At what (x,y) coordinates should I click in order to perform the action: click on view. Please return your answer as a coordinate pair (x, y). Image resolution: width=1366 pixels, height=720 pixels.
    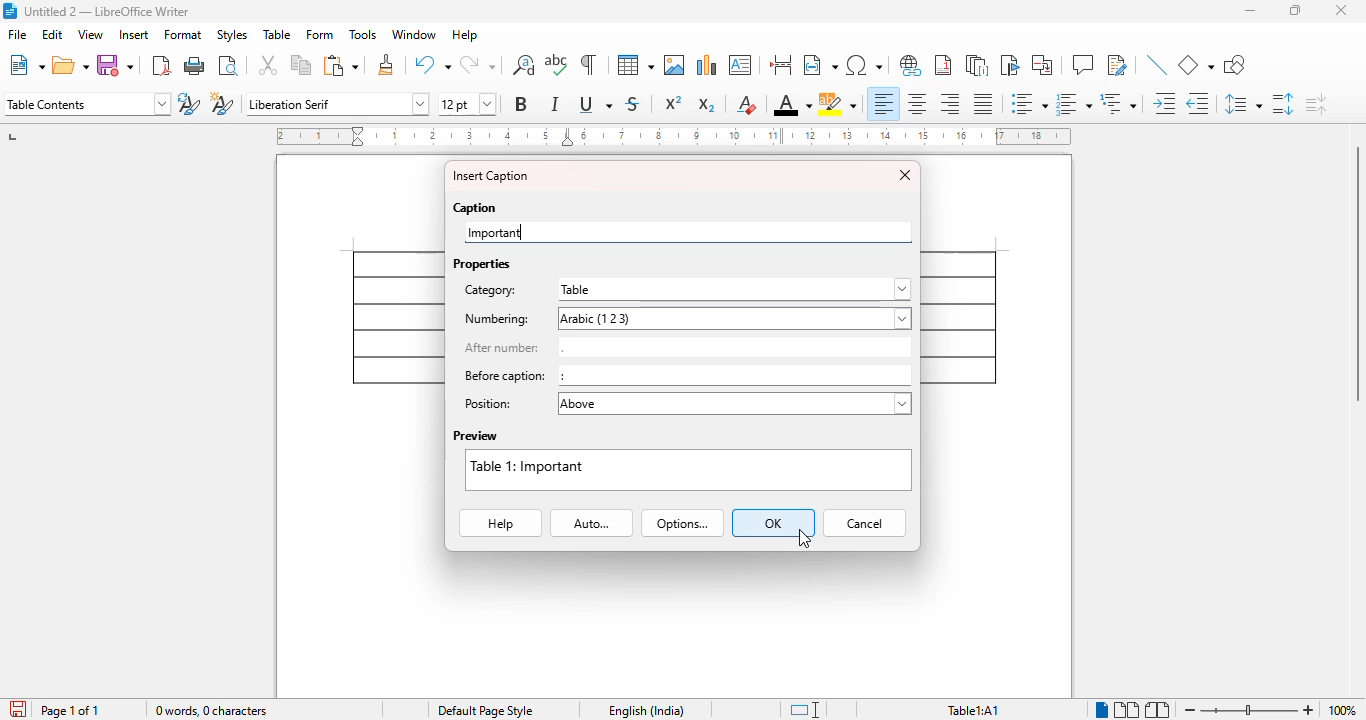
    Looking at the image, I should click on (91, 34).